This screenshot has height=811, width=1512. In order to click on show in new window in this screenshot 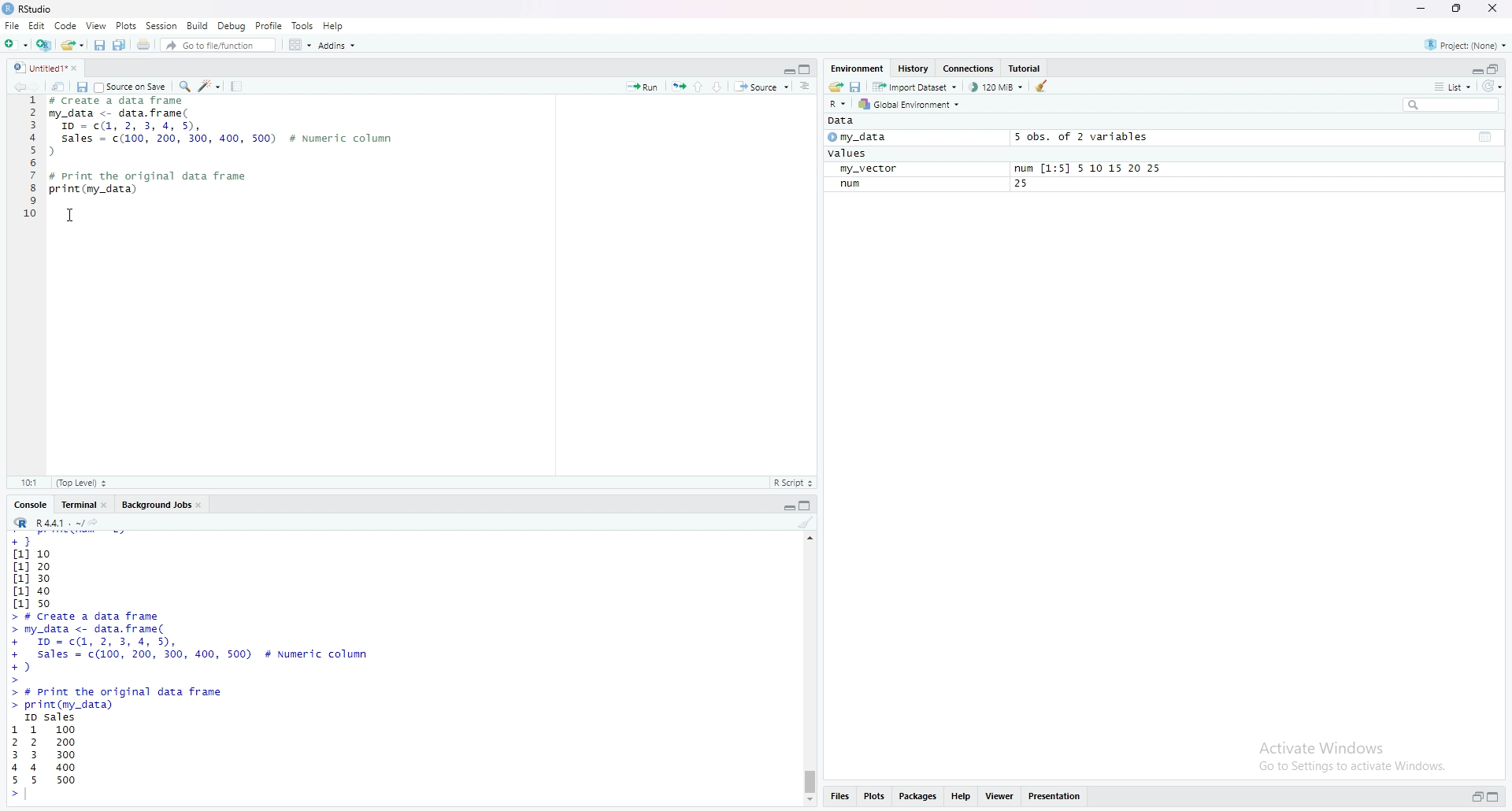, I will do `click(61, 88)`.